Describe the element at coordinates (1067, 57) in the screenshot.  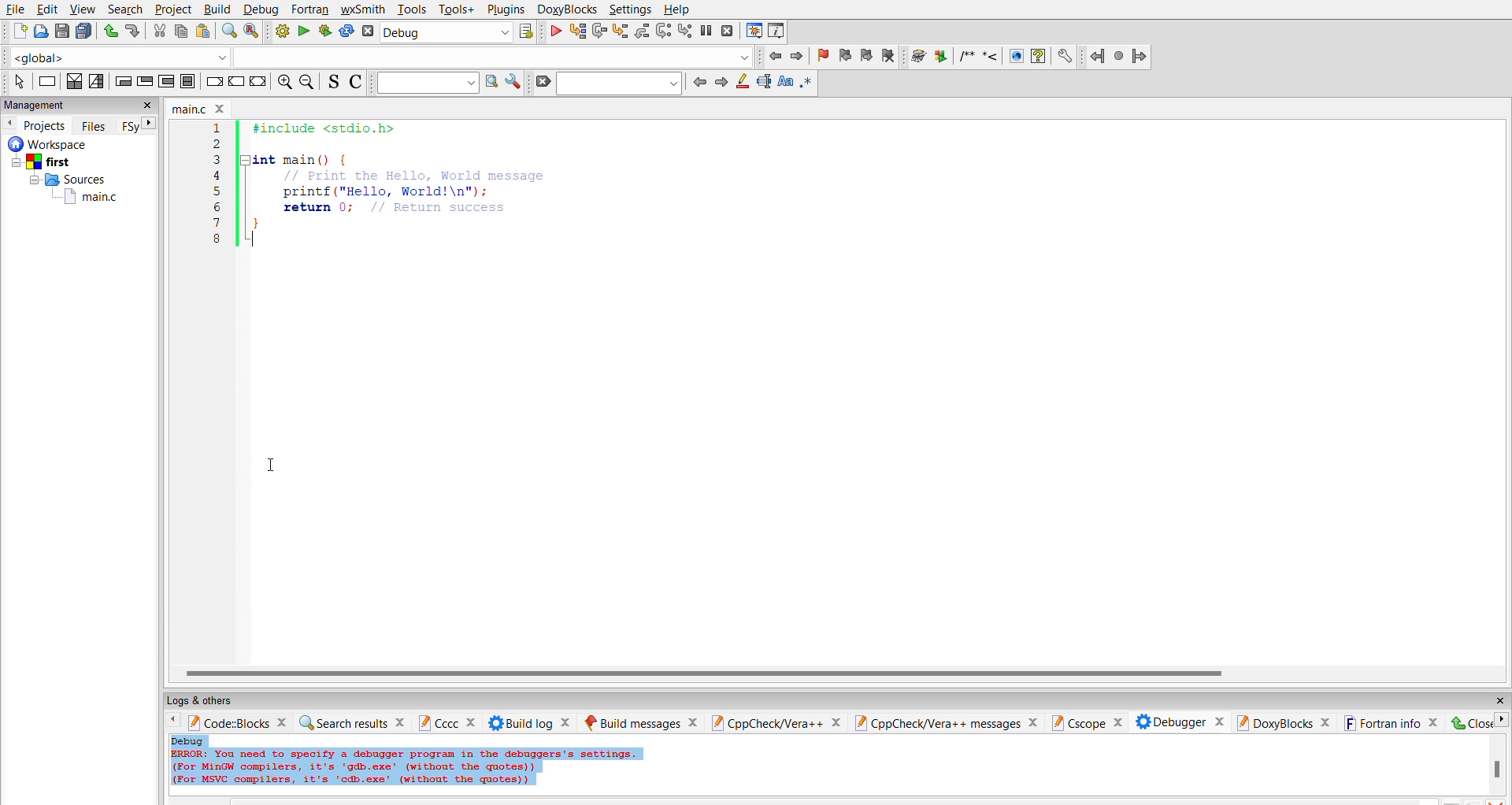
I see `Preferences` at that location.